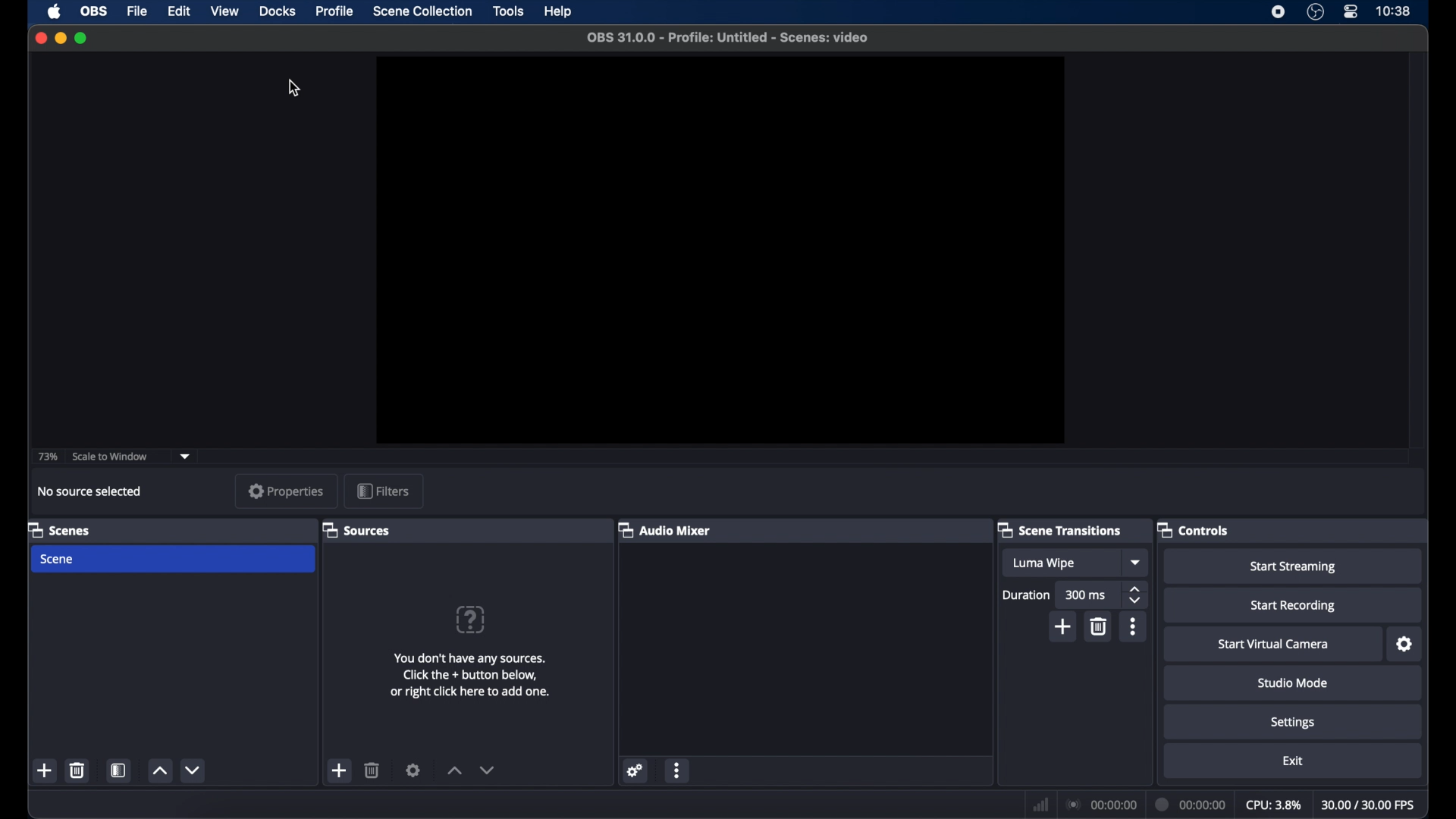 The width and height of the screenshot is (1456, 819). Describe the element at coordinates (294, 89) in the screenshot. I see `cursor` at that location.